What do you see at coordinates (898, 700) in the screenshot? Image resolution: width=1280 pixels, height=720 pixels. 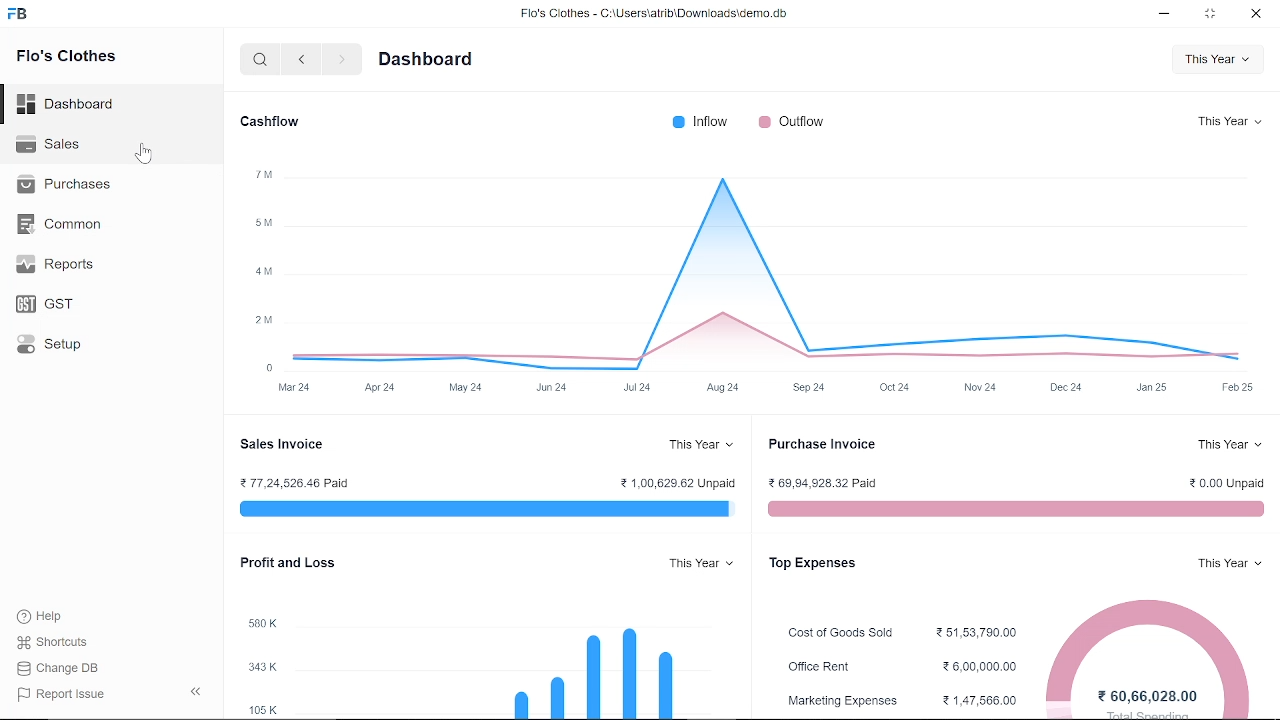 I see `‘Marketing Expenses 1,47,566.00` at bounding box center [898, 700].